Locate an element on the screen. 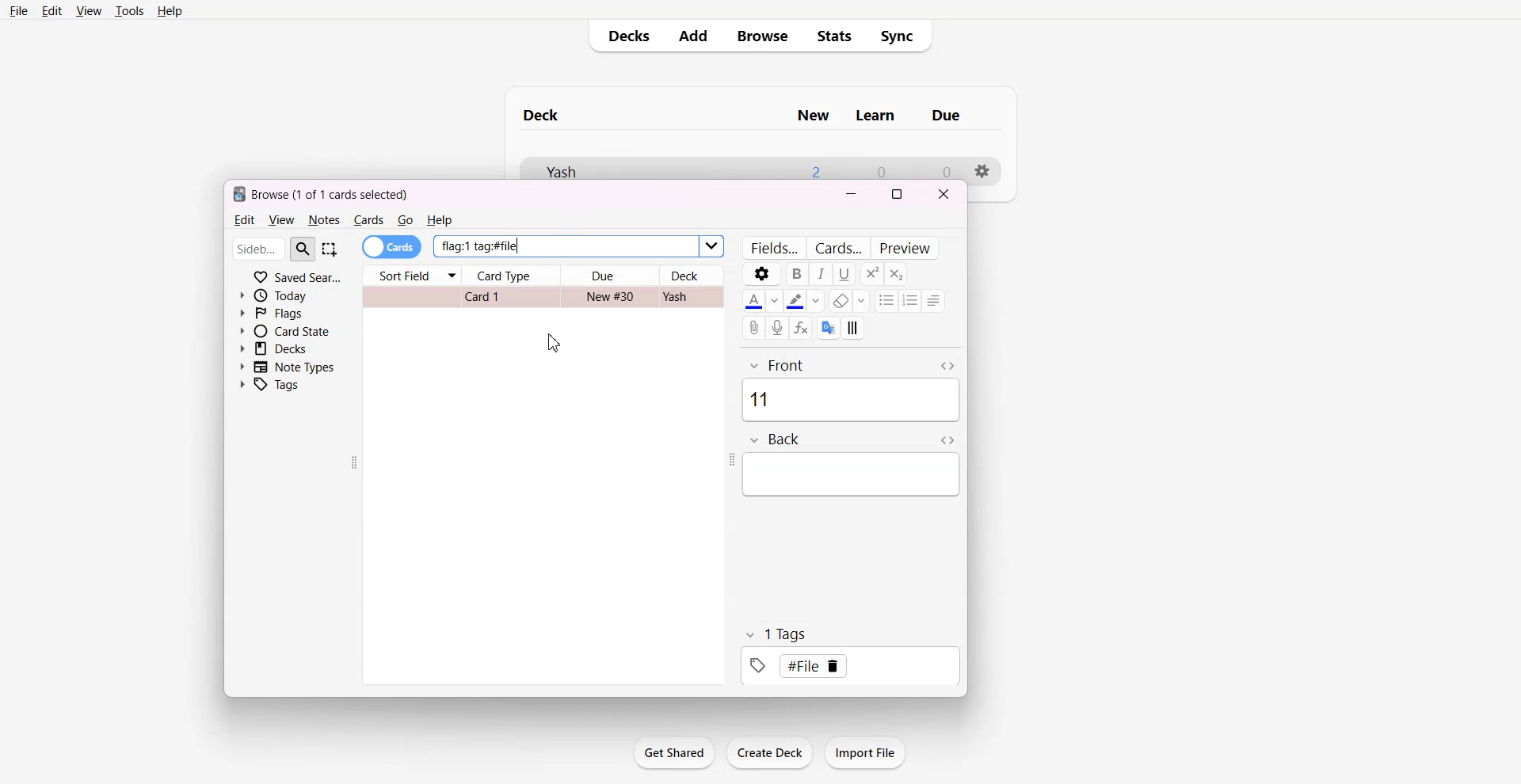 The image size is (1521, 784). Google Search is located at coordinates (829, 327).